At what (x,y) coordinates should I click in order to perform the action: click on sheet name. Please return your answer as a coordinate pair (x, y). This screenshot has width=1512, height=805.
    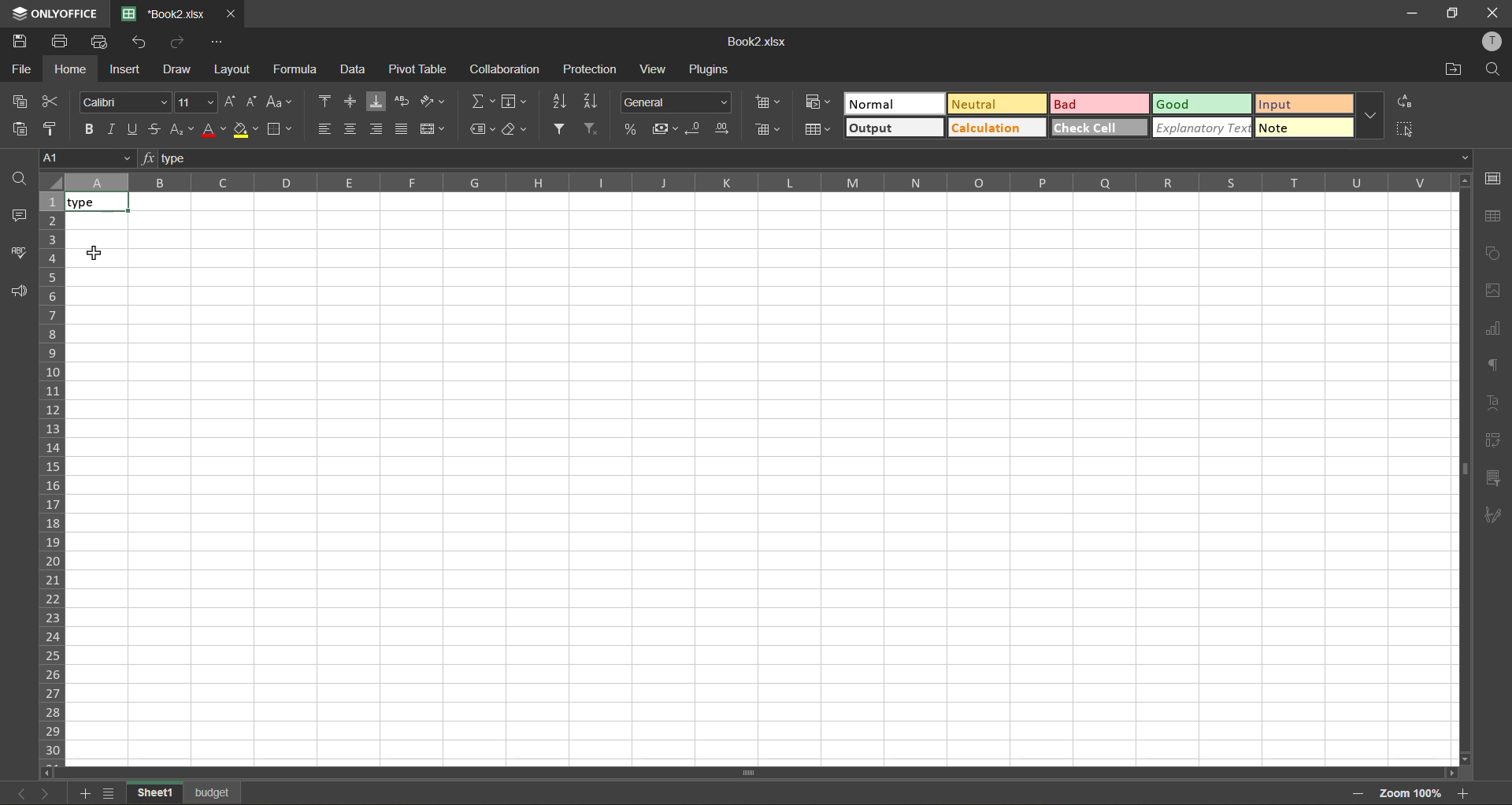
    Looking at the image, I should click on (214, 791).